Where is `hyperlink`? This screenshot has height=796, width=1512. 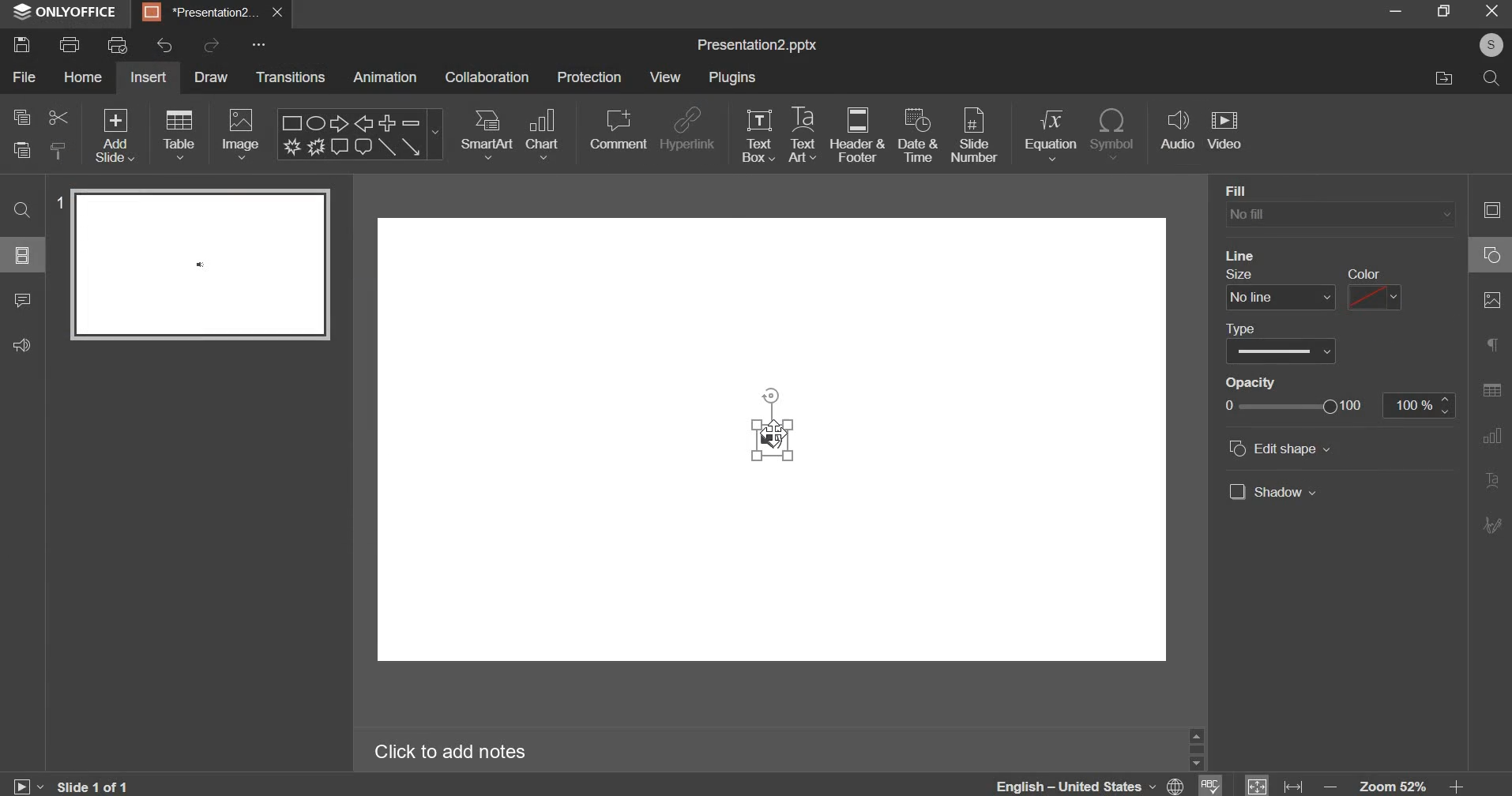 hyperlink is located at coordinates (690, 127).